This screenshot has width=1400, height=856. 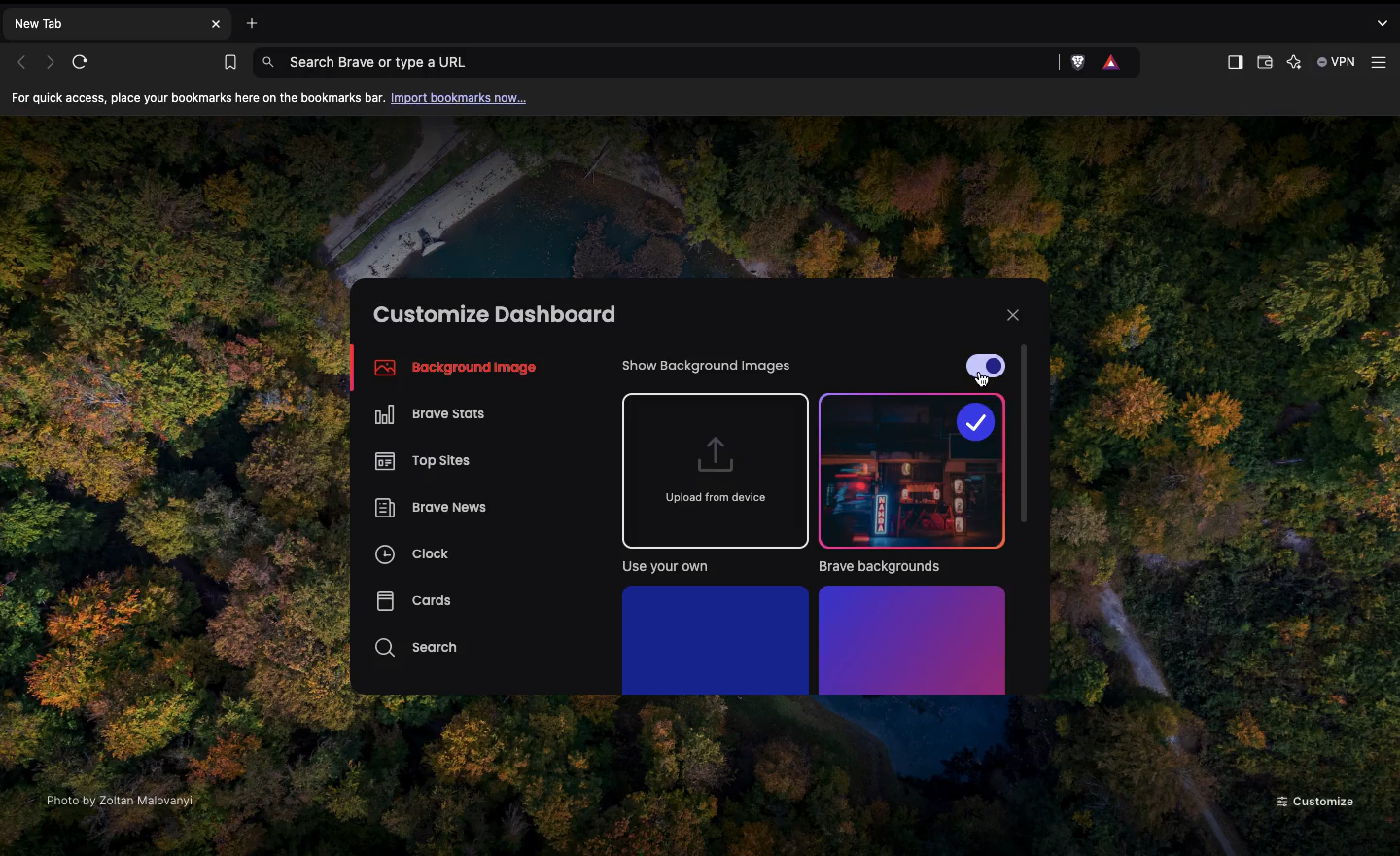 I want to click on Customize and control Brave, so click(x=1379, y=63).